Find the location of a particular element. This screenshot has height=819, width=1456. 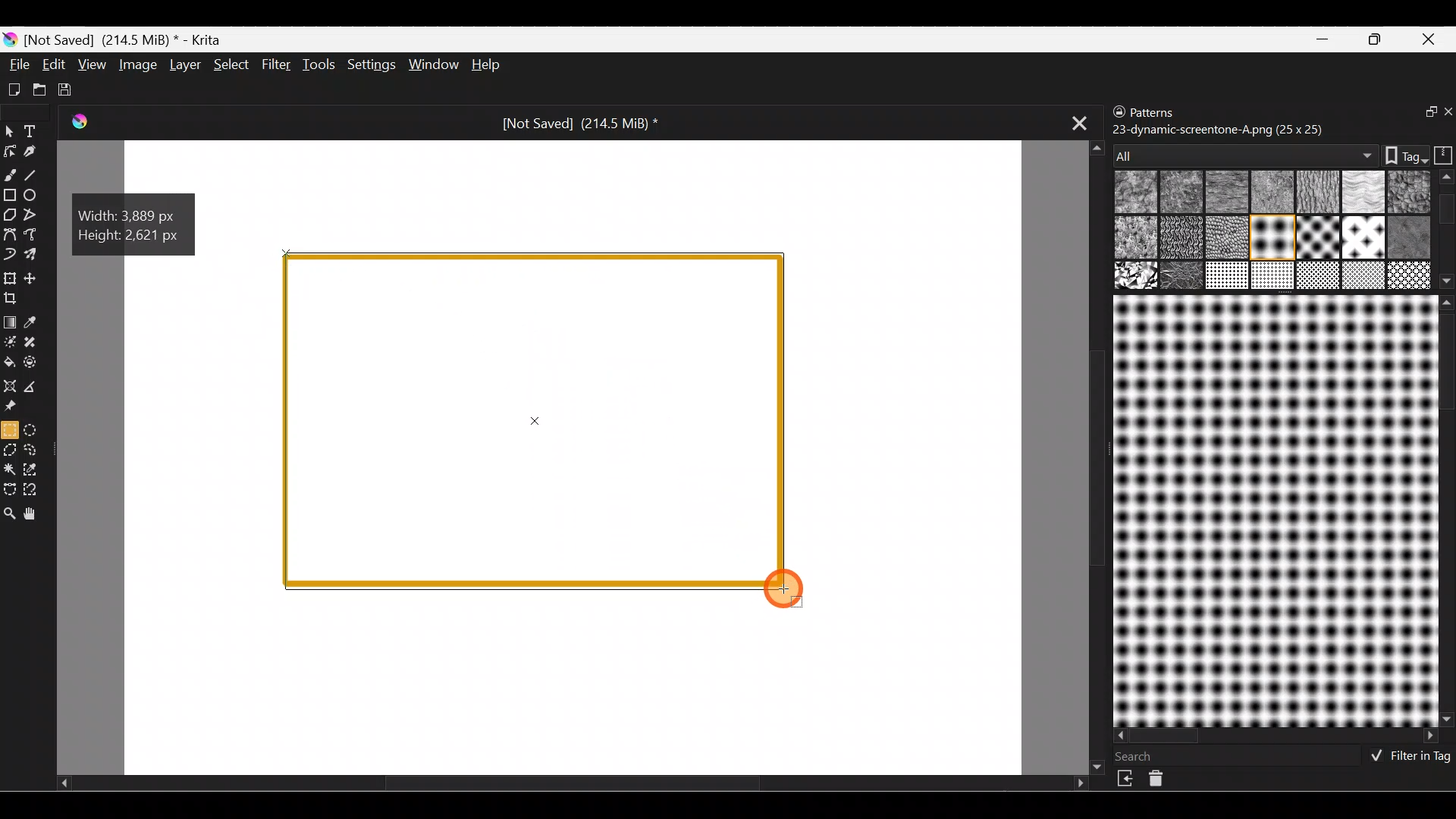

[Not Saved] (214.5 MiB) * is located at coordinates (579, 124).